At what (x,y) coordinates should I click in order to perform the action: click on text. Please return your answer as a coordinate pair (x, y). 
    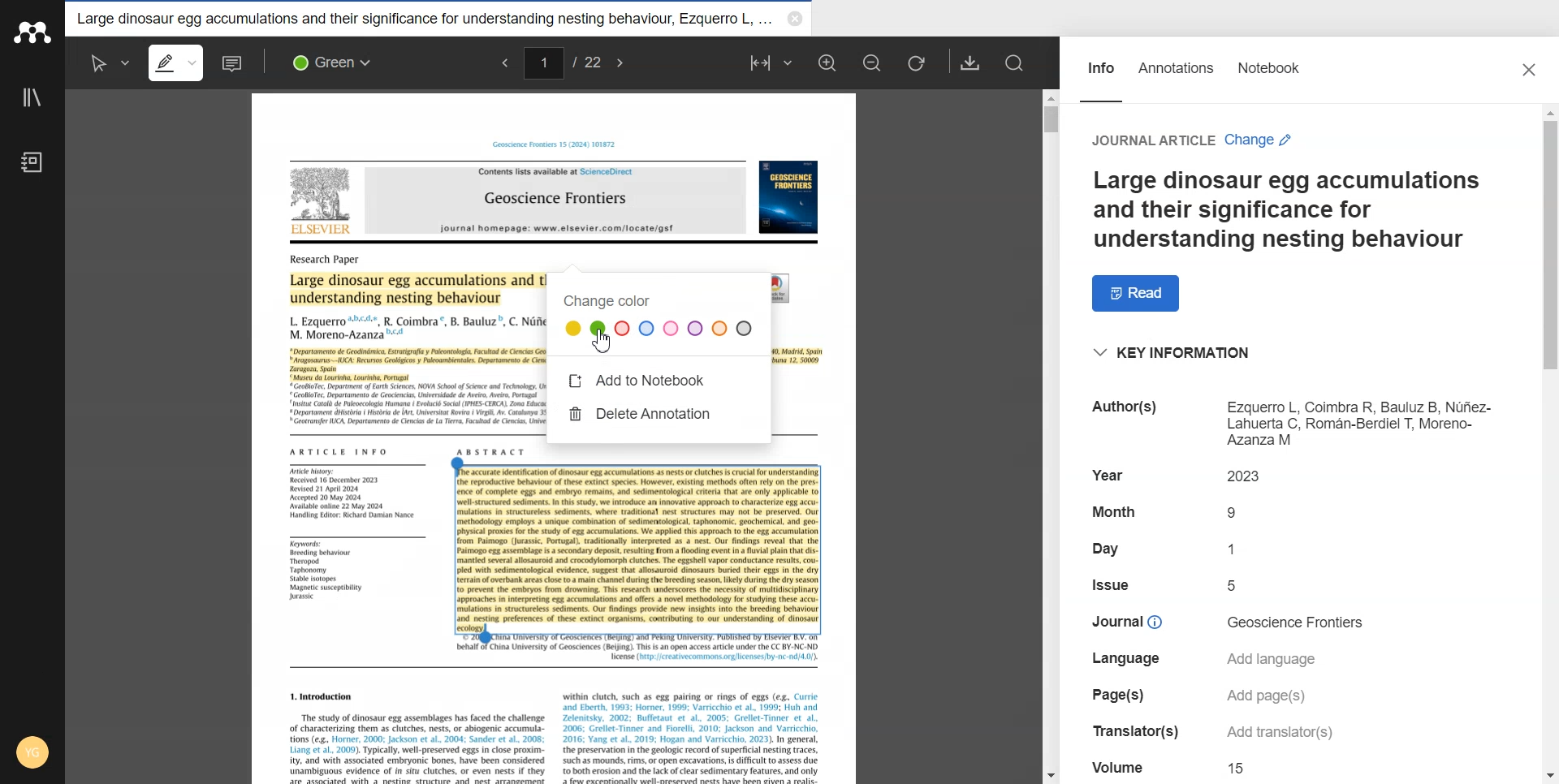
    Looking at the image, I should click on (1113, 549).